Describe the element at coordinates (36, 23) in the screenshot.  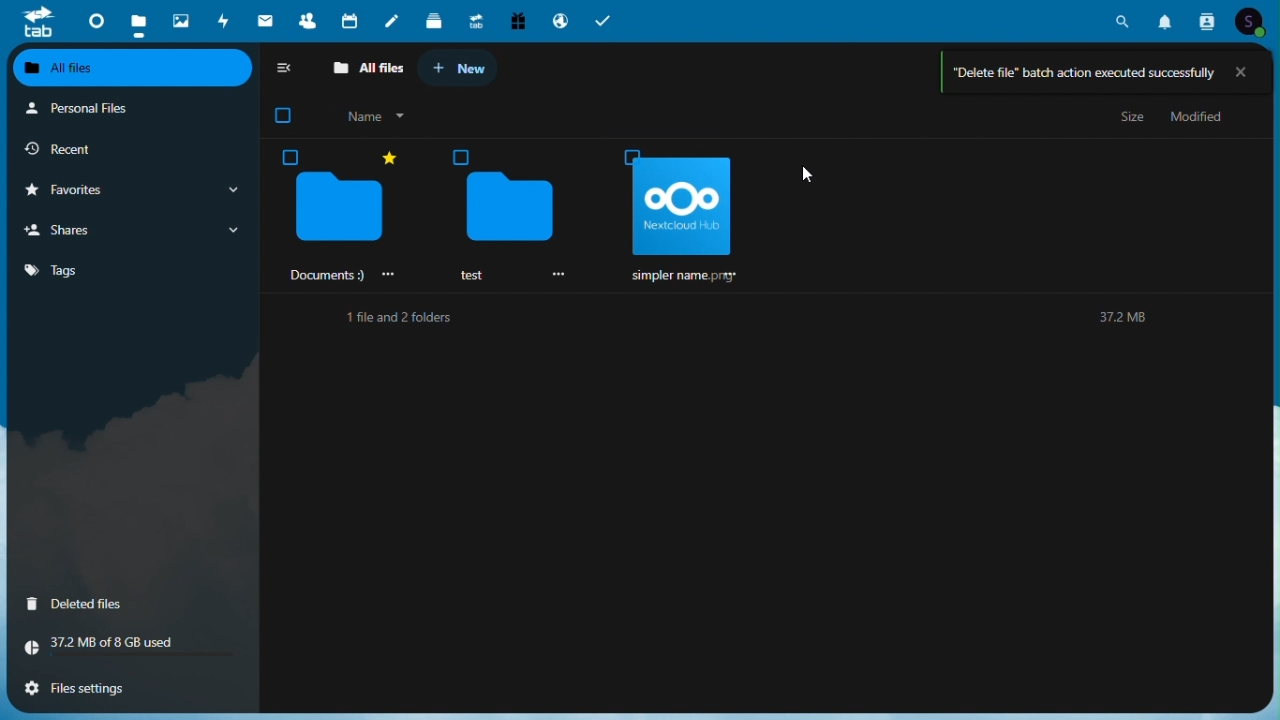
I see `tab` at that location.